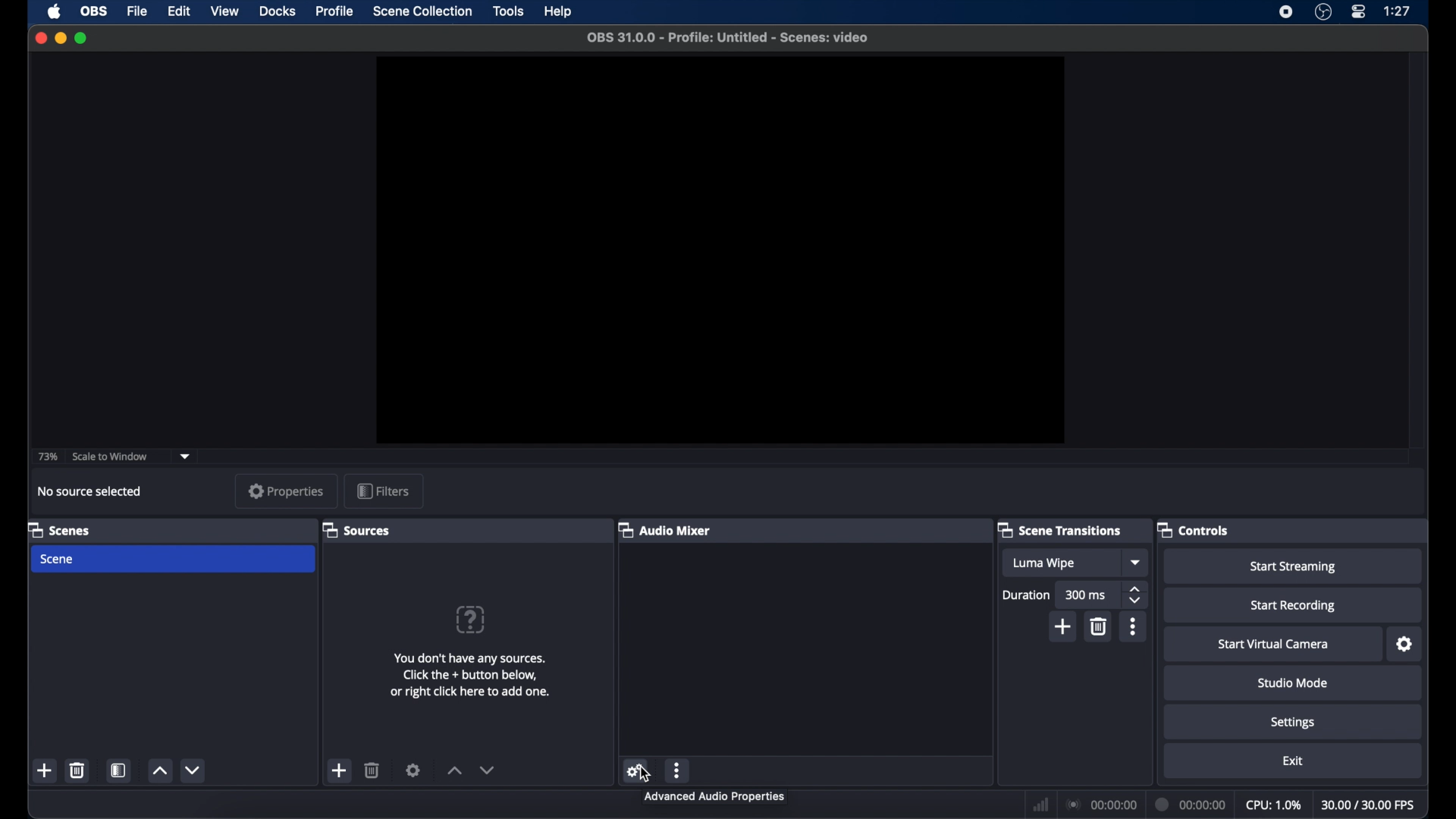  What do you see at coordinates (372, 770) in the screenshot?
I see `delete` at bounding box center [372, 770].